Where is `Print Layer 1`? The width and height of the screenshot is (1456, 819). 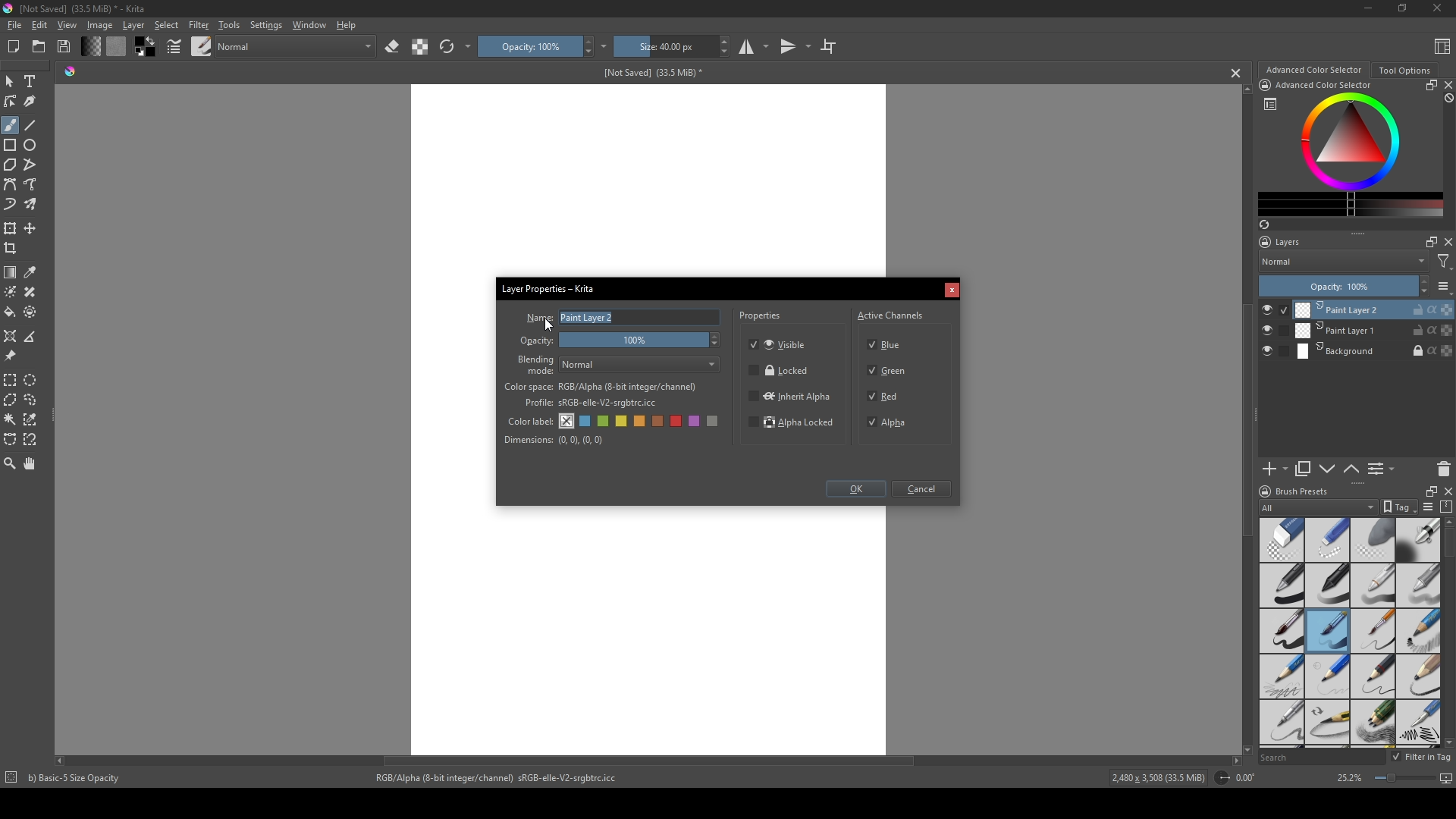
Print Layer 1 is located at coordinates (1374, 331).